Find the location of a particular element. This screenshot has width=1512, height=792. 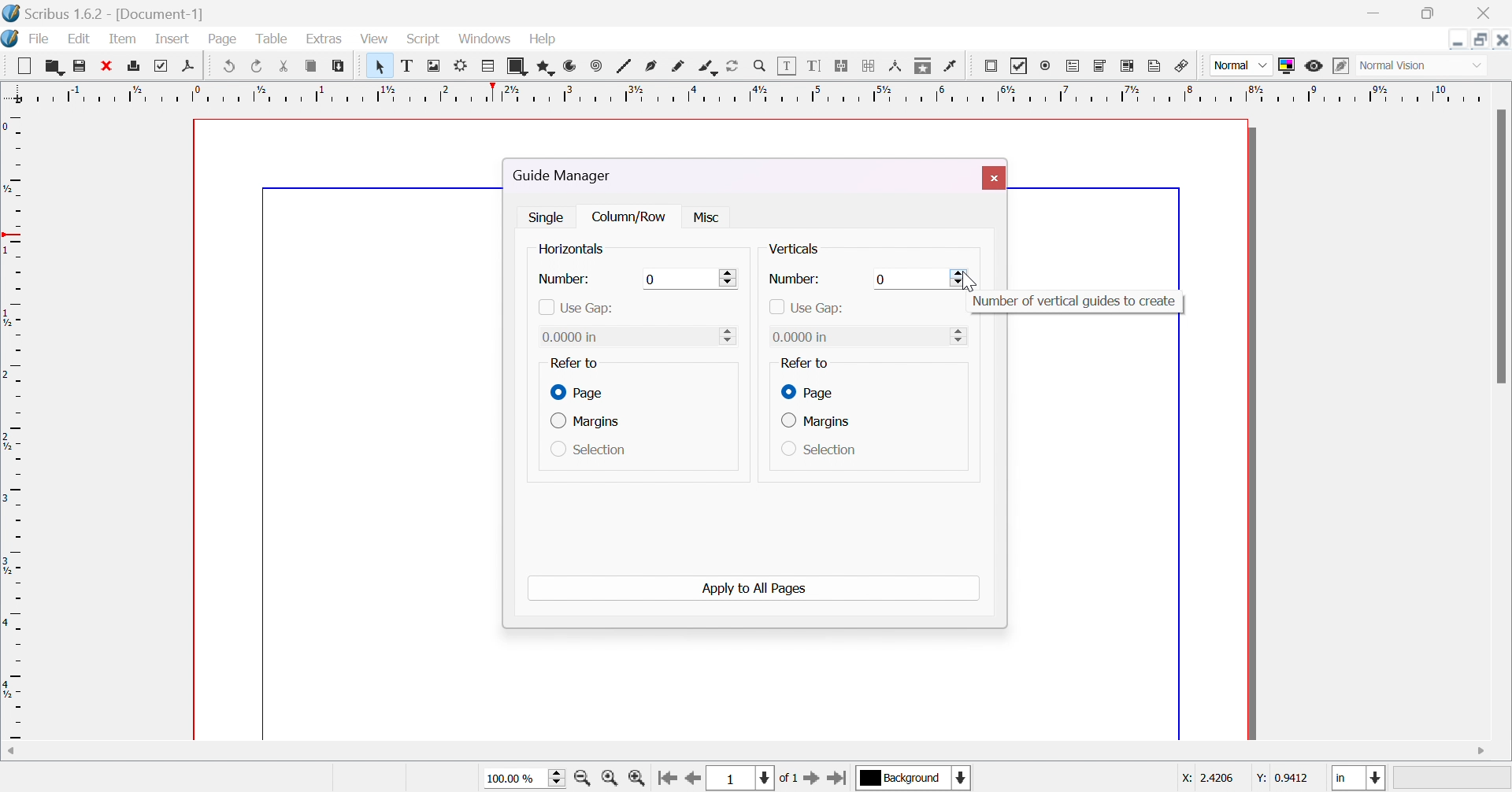

number is located at coordinates (565, 279).